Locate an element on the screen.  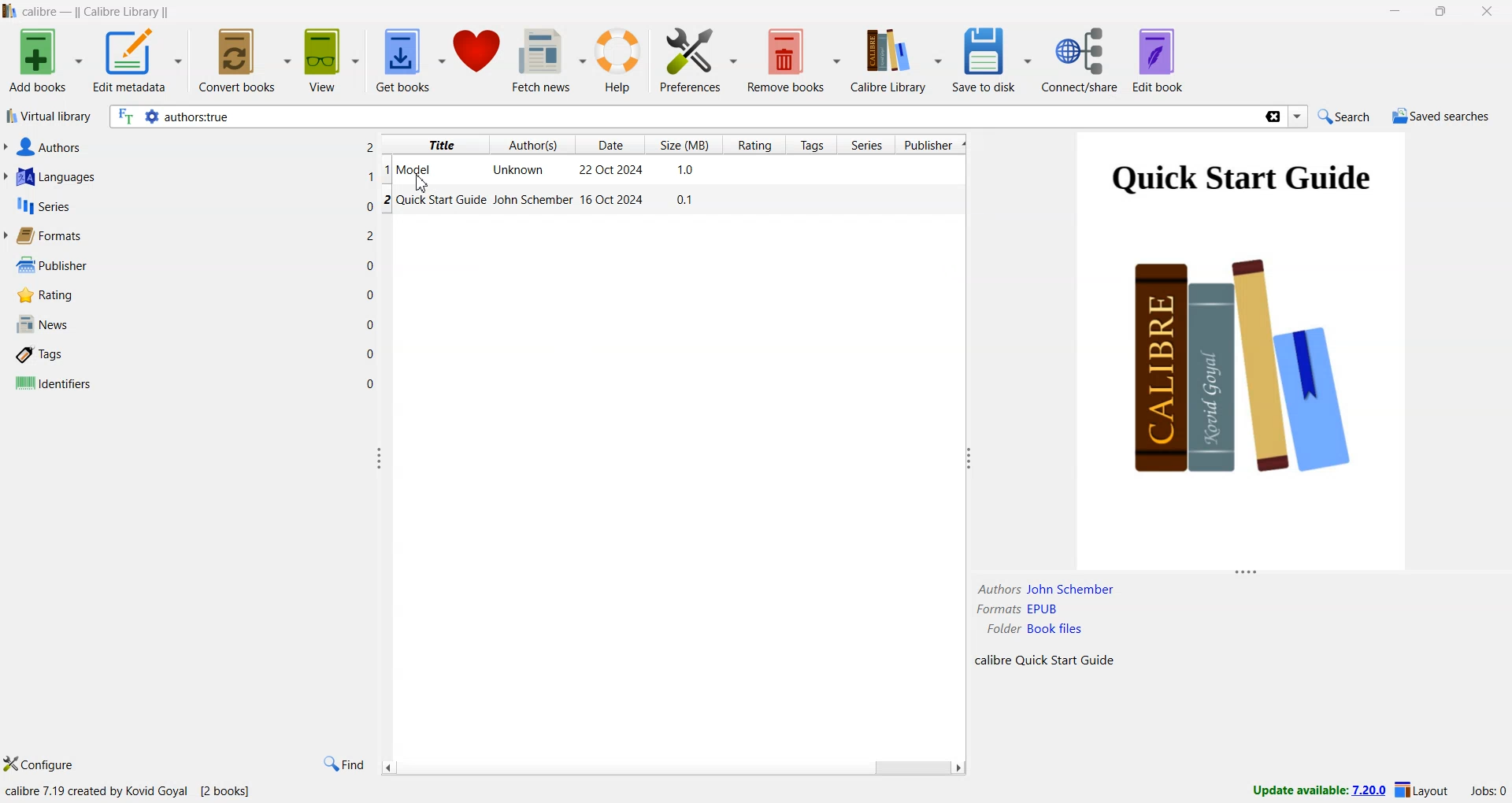
languages is located at coordinates (54, 179).